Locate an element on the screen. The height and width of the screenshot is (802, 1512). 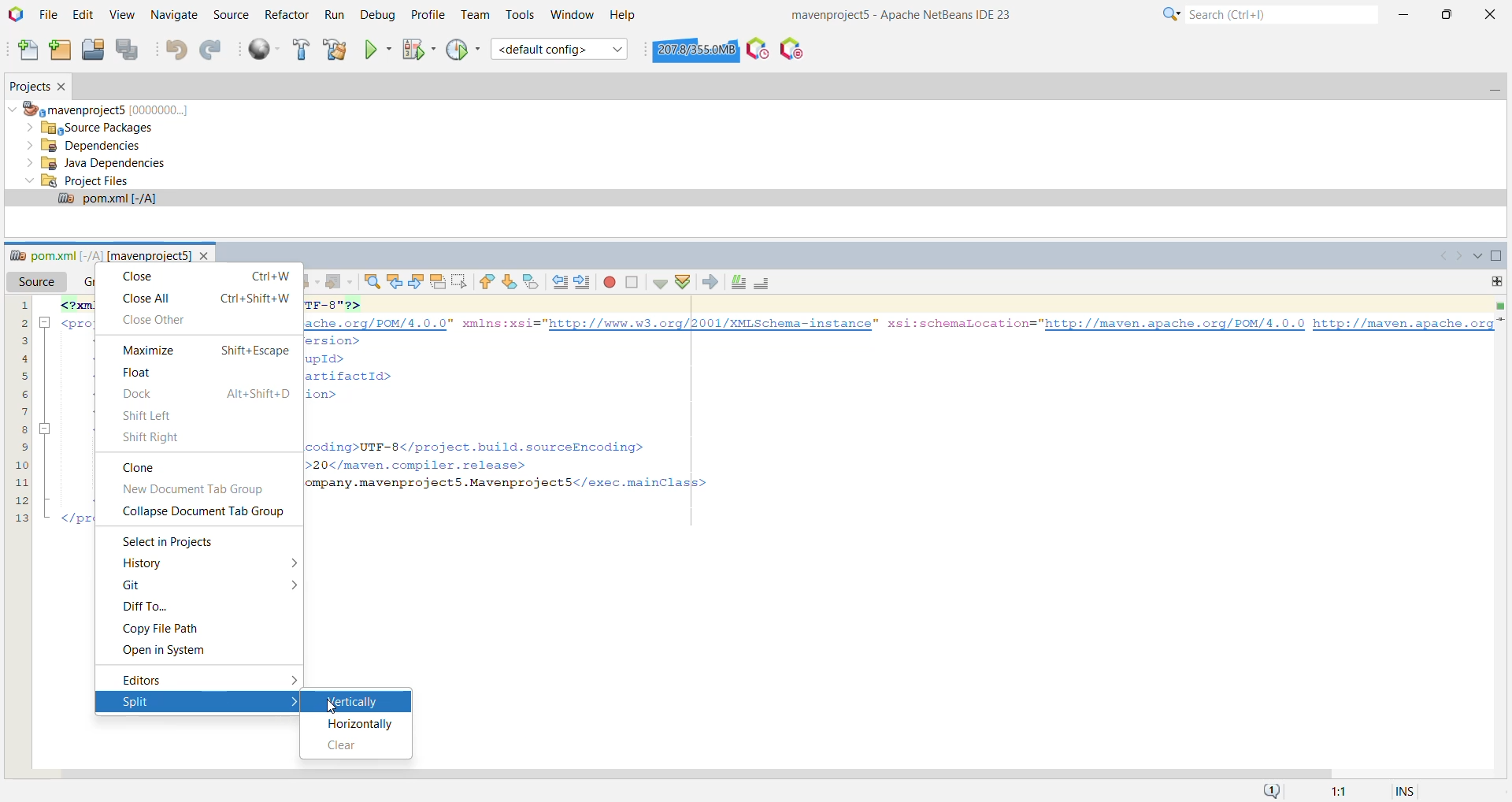
Search Bar is located at coordinates (1266, 13).